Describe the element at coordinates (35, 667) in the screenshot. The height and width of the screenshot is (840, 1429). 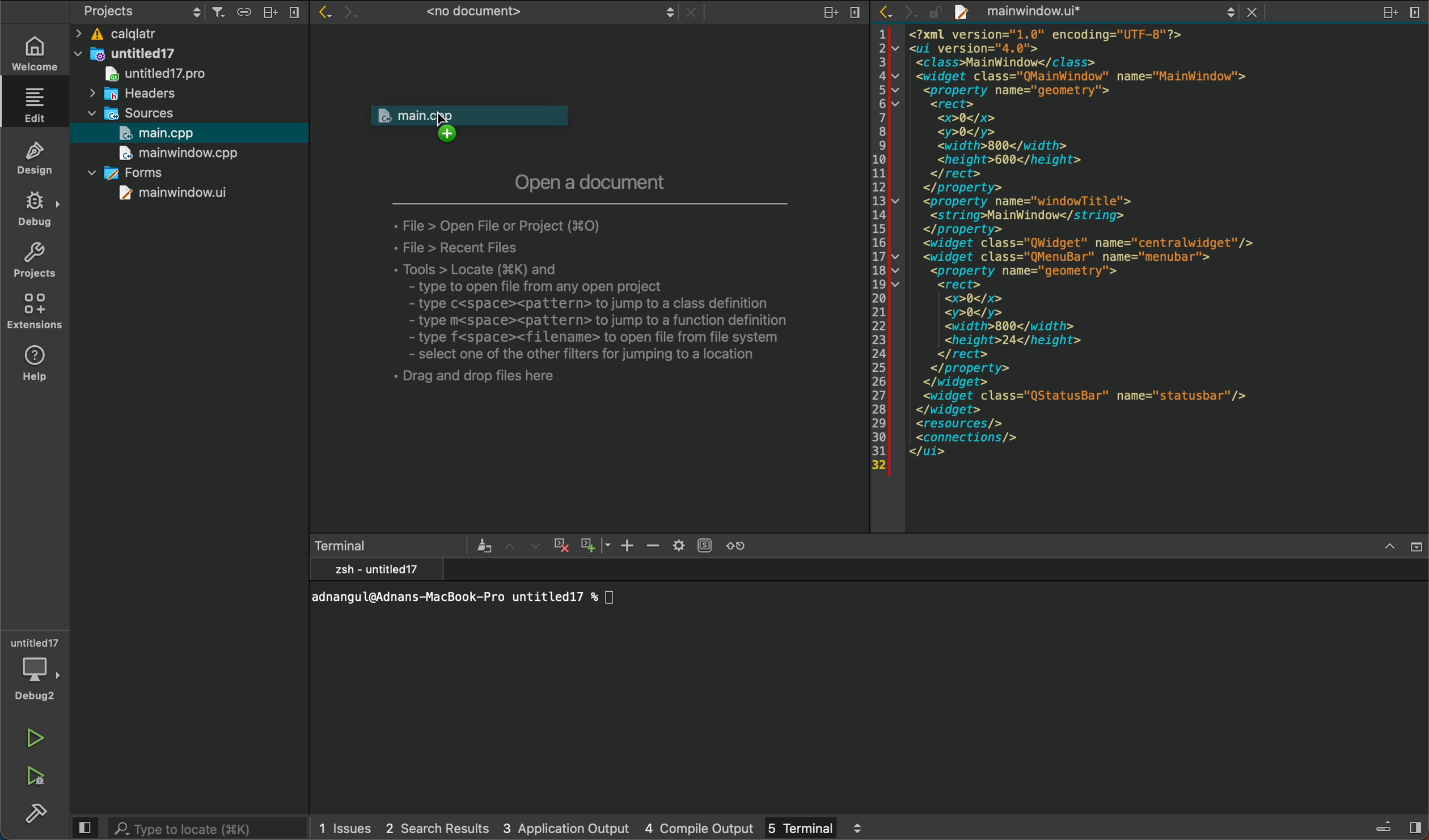
I see `debugger` at that location.